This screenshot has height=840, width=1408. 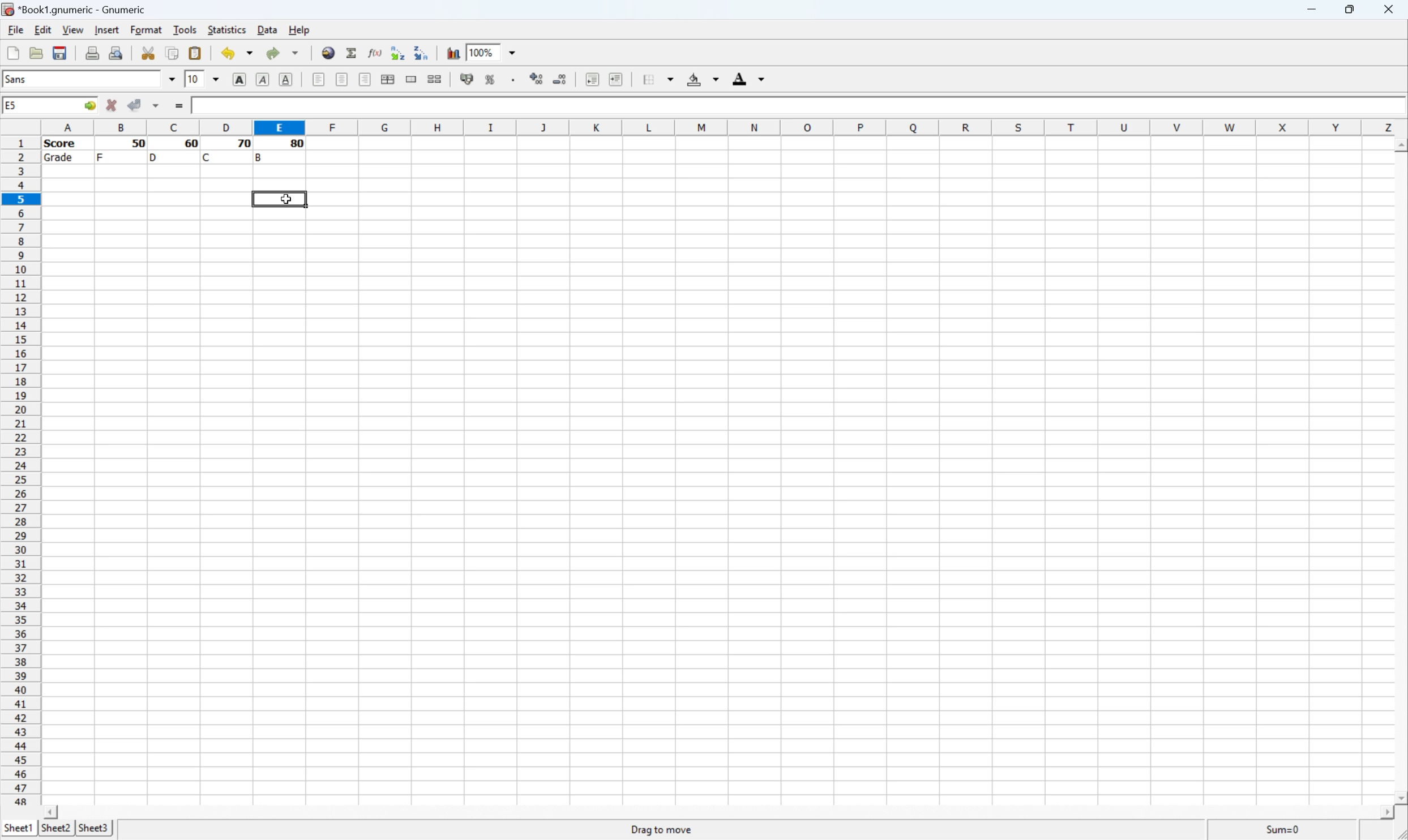 I want to click on Sans, so click(x=32, y=80).